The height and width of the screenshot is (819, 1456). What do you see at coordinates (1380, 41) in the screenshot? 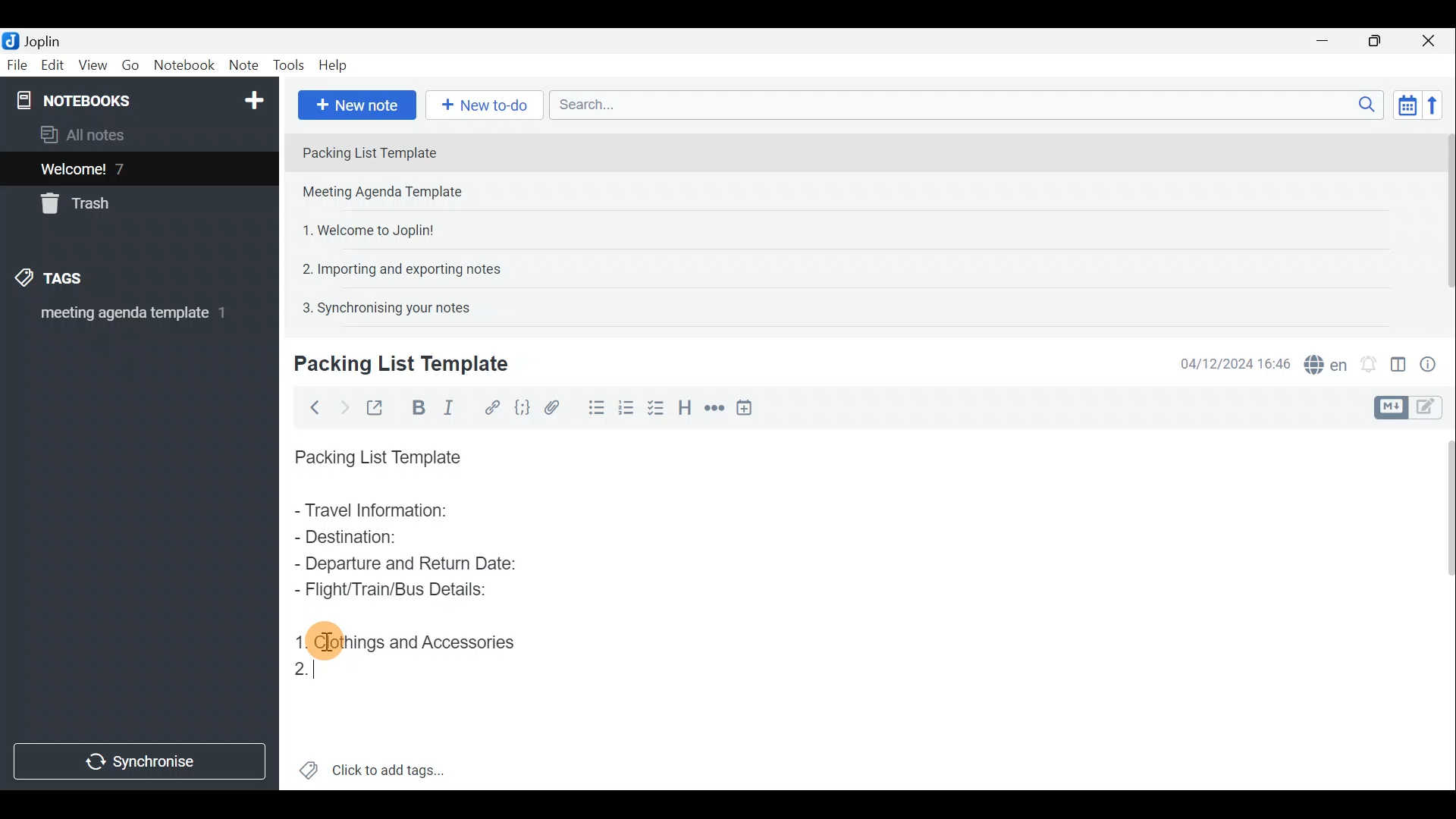
I see `Maximise` at bounding box center [1380, 41].